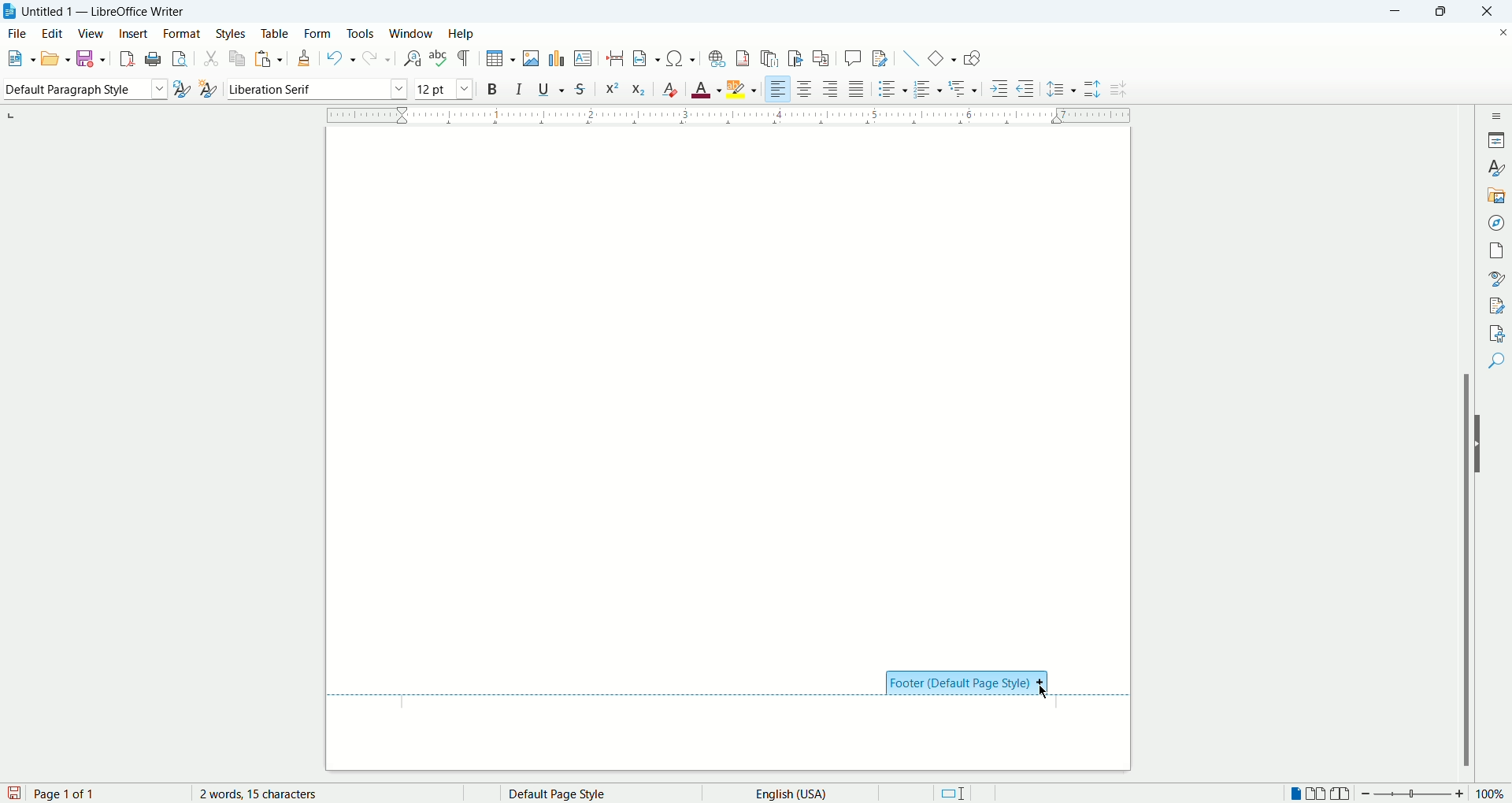  Describe the element at coordinates (17, 60) in the screenshot. I see `open` at that location.